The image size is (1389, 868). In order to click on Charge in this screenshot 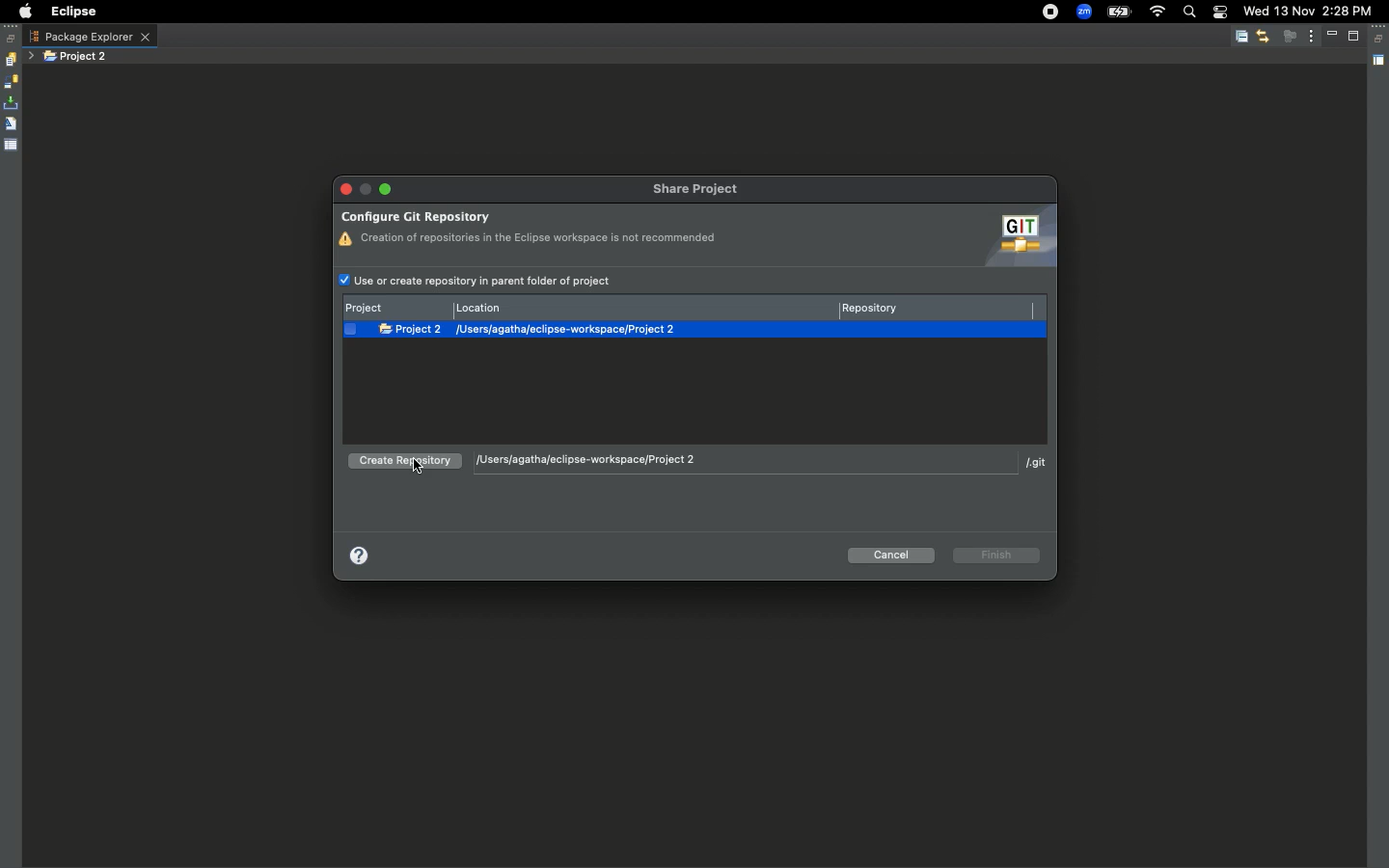, I will do `click(1118, 14)`.